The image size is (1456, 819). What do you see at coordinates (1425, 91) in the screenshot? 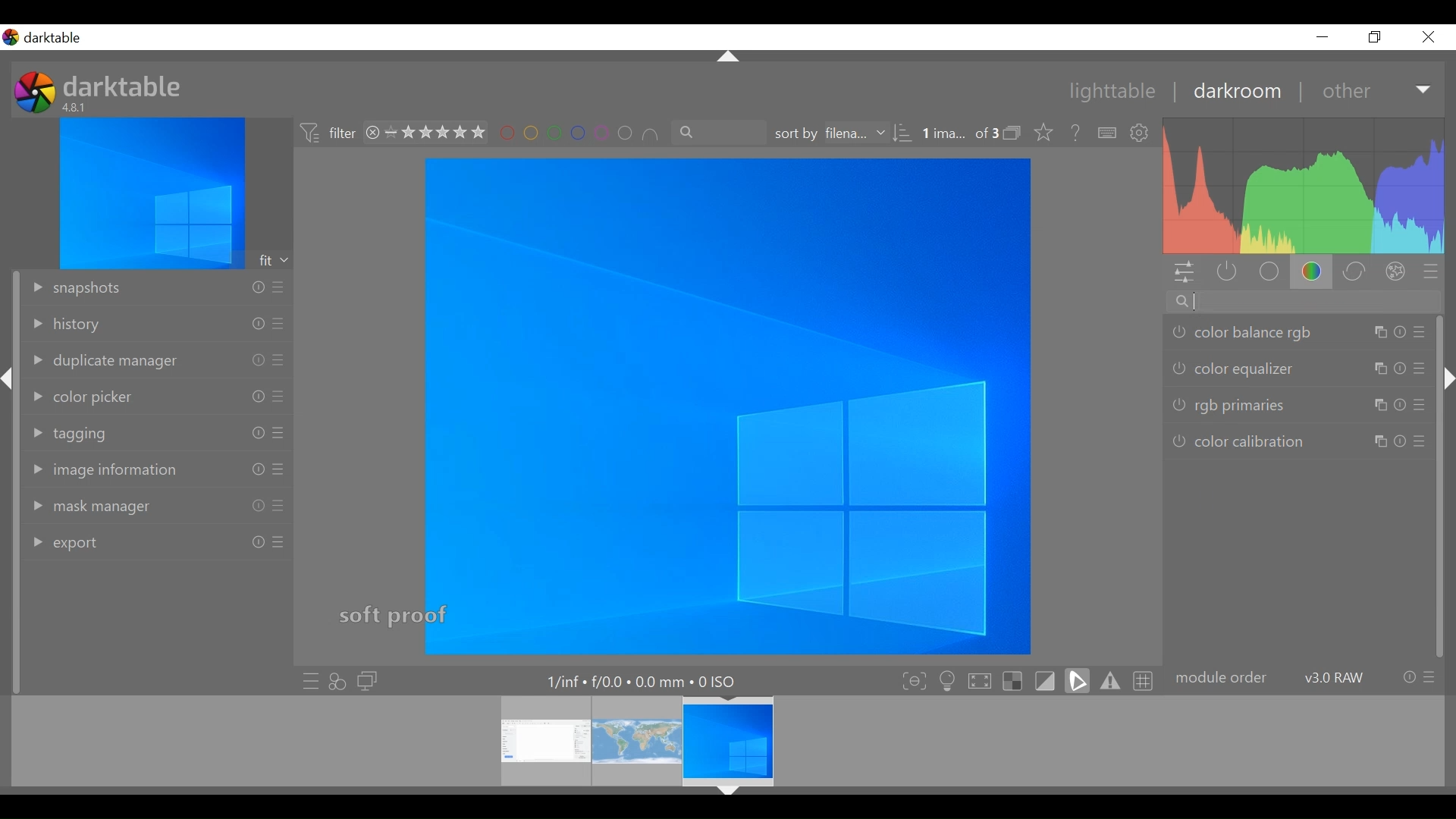
I see `Expand` at bounding box center [1425, 91].